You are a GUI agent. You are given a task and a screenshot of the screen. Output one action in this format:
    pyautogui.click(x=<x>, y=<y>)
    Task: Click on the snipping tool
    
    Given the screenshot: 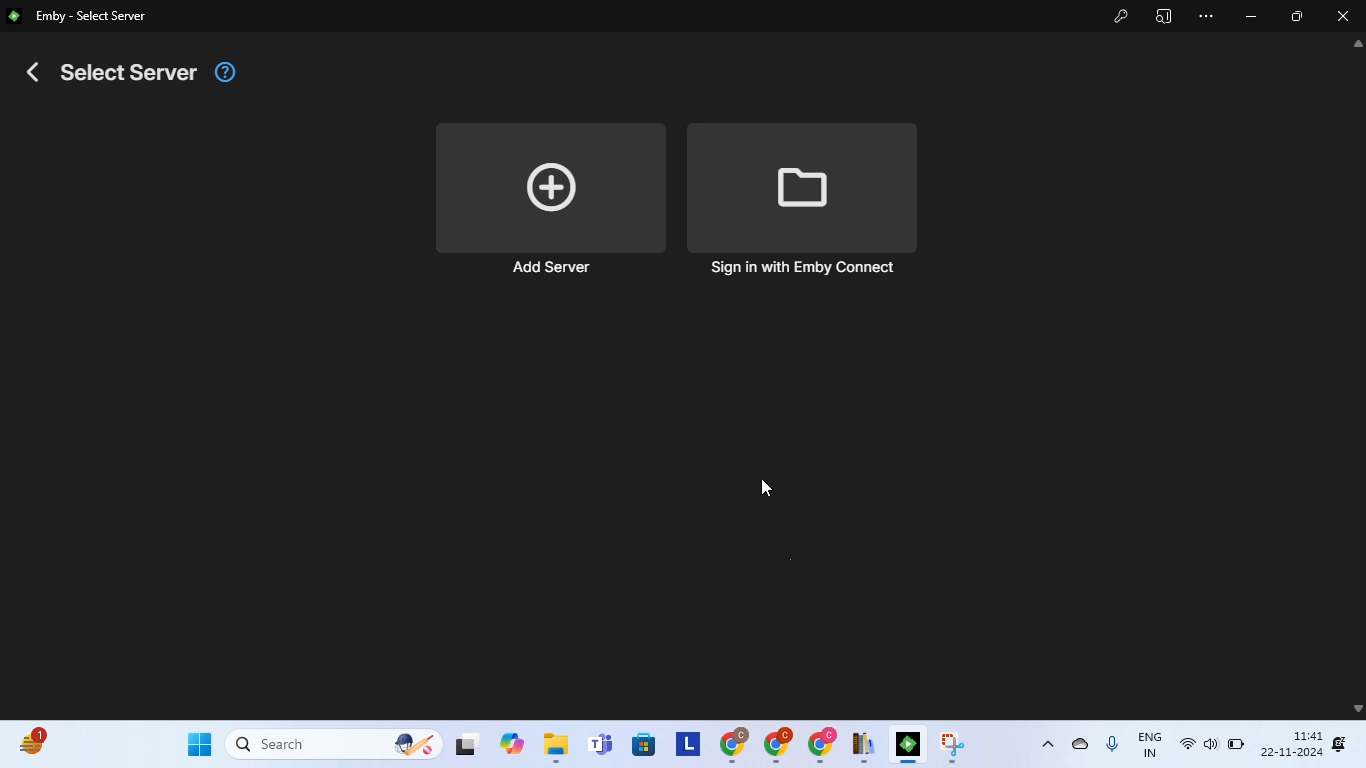 What is the action you would take?
    pyautogui.click(x=954, y=744)
    